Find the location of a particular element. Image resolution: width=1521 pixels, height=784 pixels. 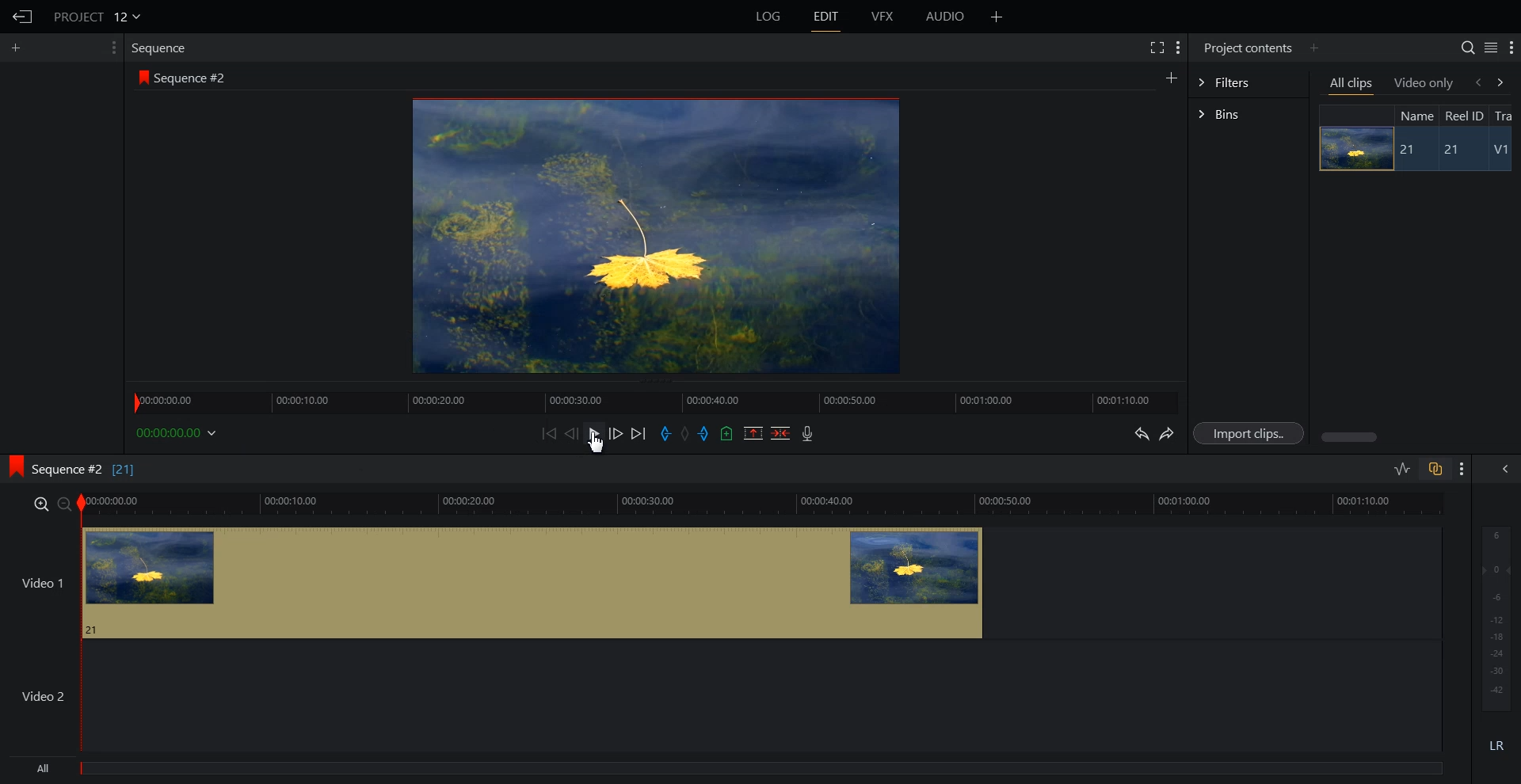

Delete is located at coordinates (781, 433).